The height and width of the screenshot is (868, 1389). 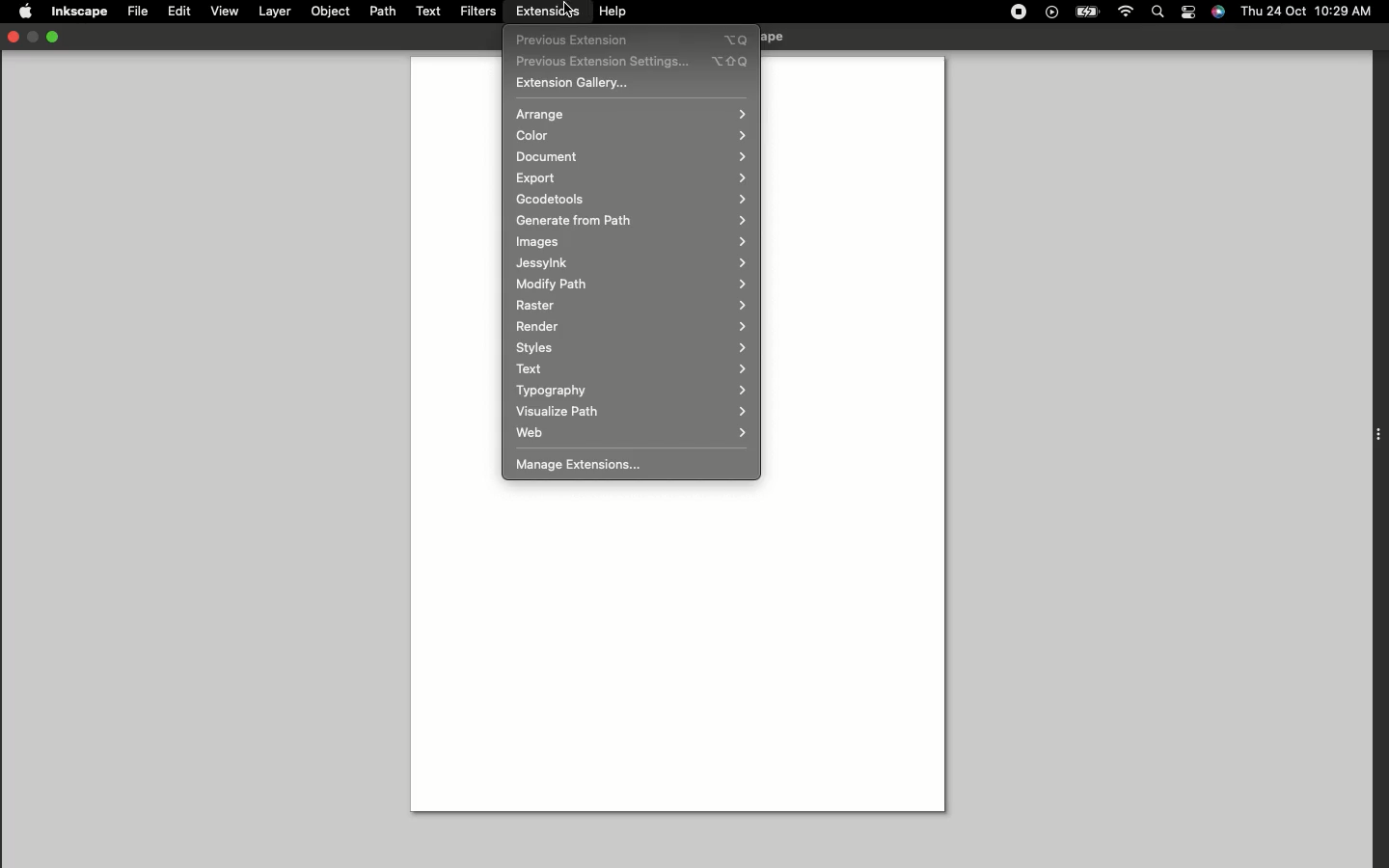 What do you see at coordinates (478, 12) in the screenshot?
I see `Filters` at bounding box center [478, 12].